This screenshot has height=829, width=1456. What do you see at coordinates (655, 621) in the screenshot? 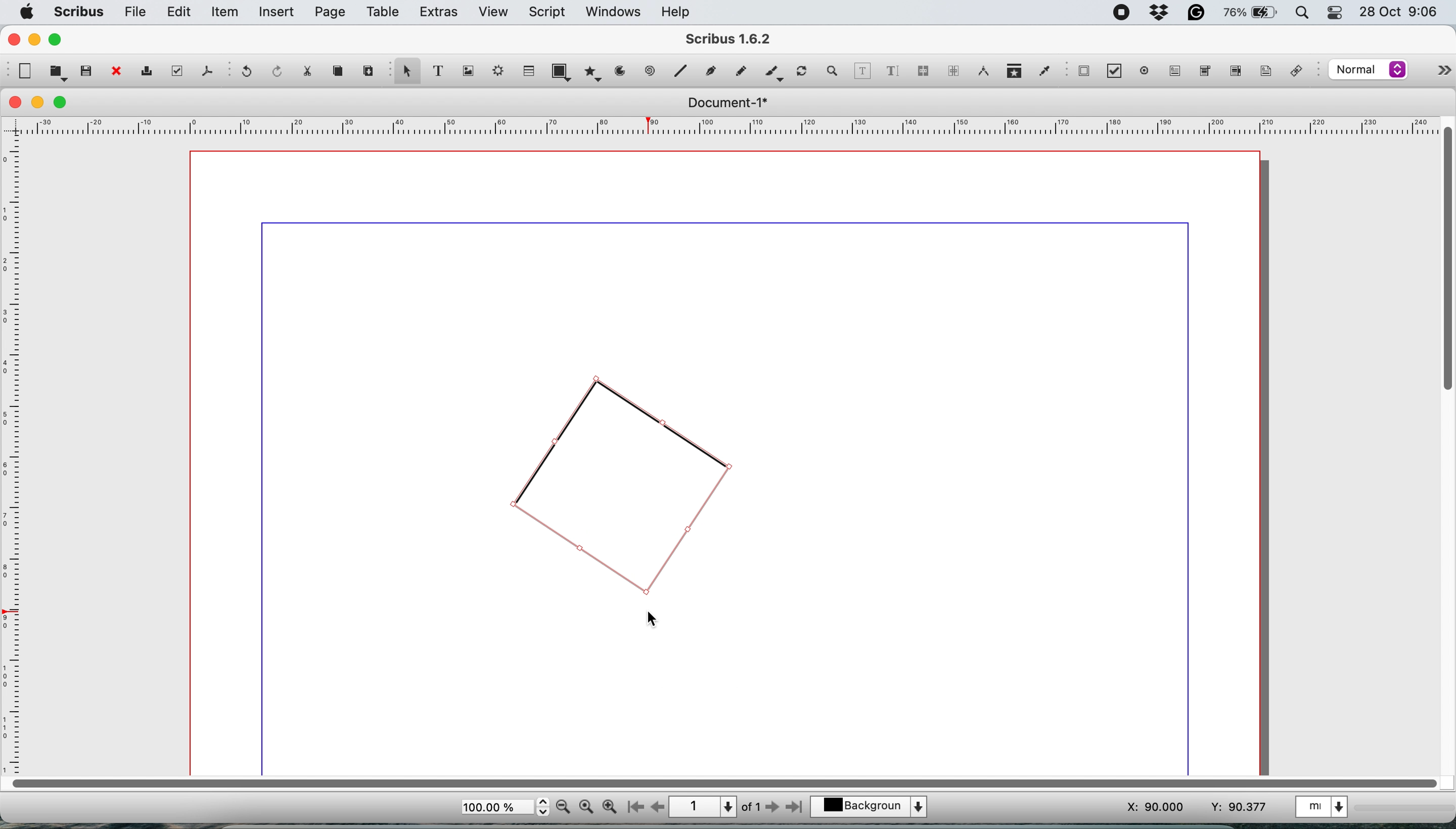
I see `cursor` at bounding box center [655, 621].